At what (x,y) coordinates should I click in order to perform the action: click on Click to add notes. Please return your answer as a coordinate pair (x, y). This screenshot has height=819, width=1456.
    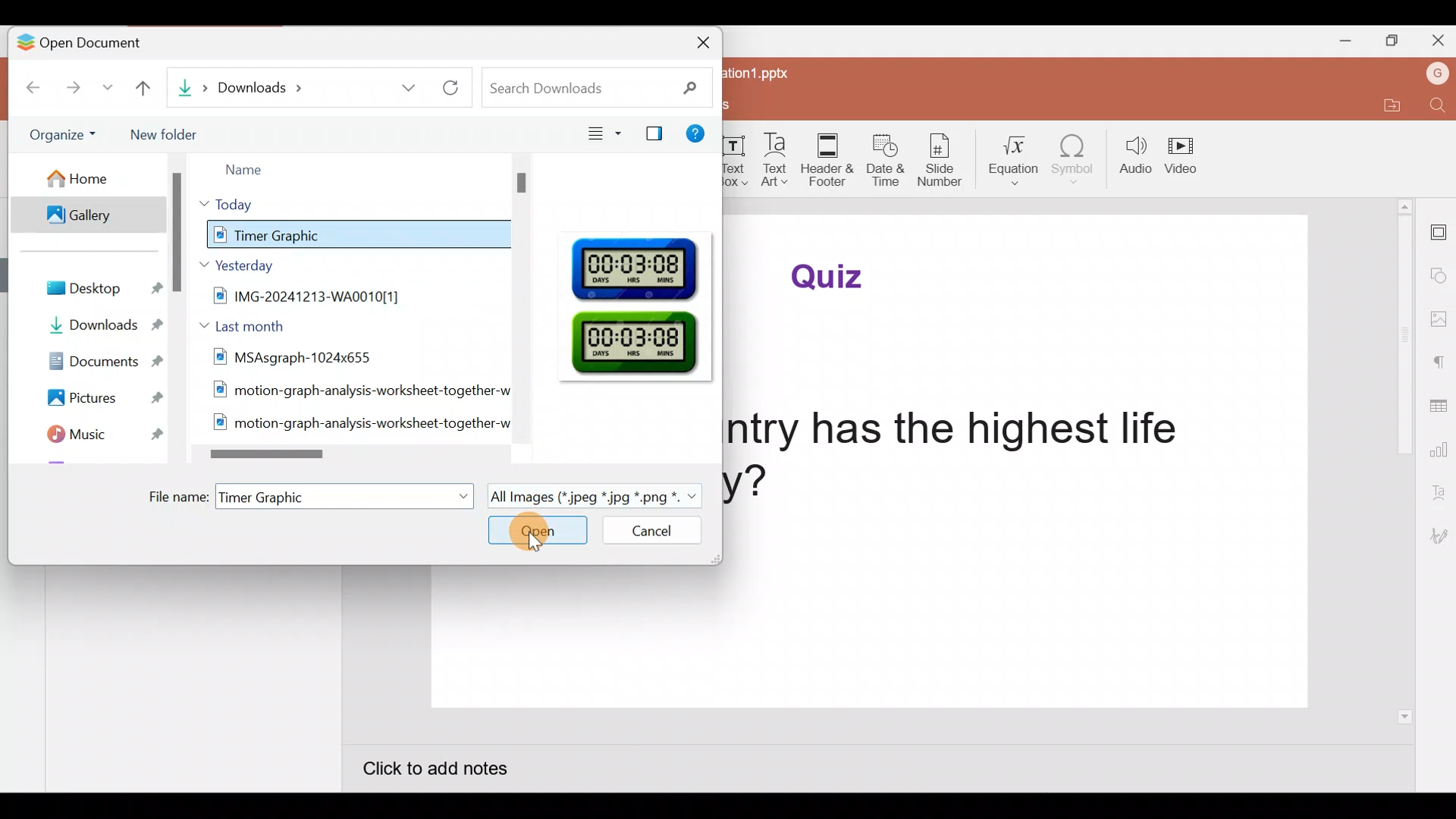
    Looking at the image, I should click on (450, 772).